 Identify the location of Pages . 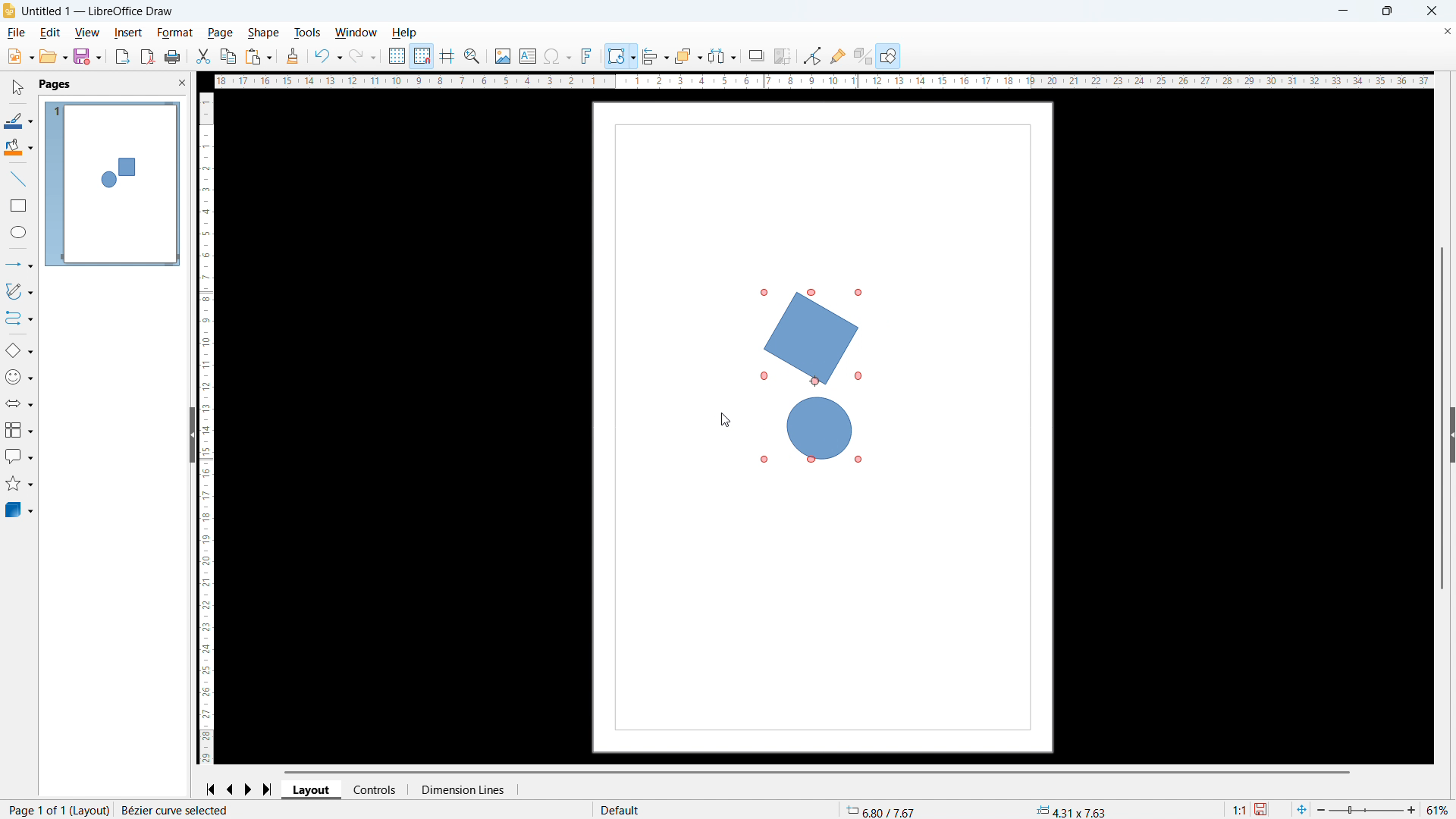
(56, 85).